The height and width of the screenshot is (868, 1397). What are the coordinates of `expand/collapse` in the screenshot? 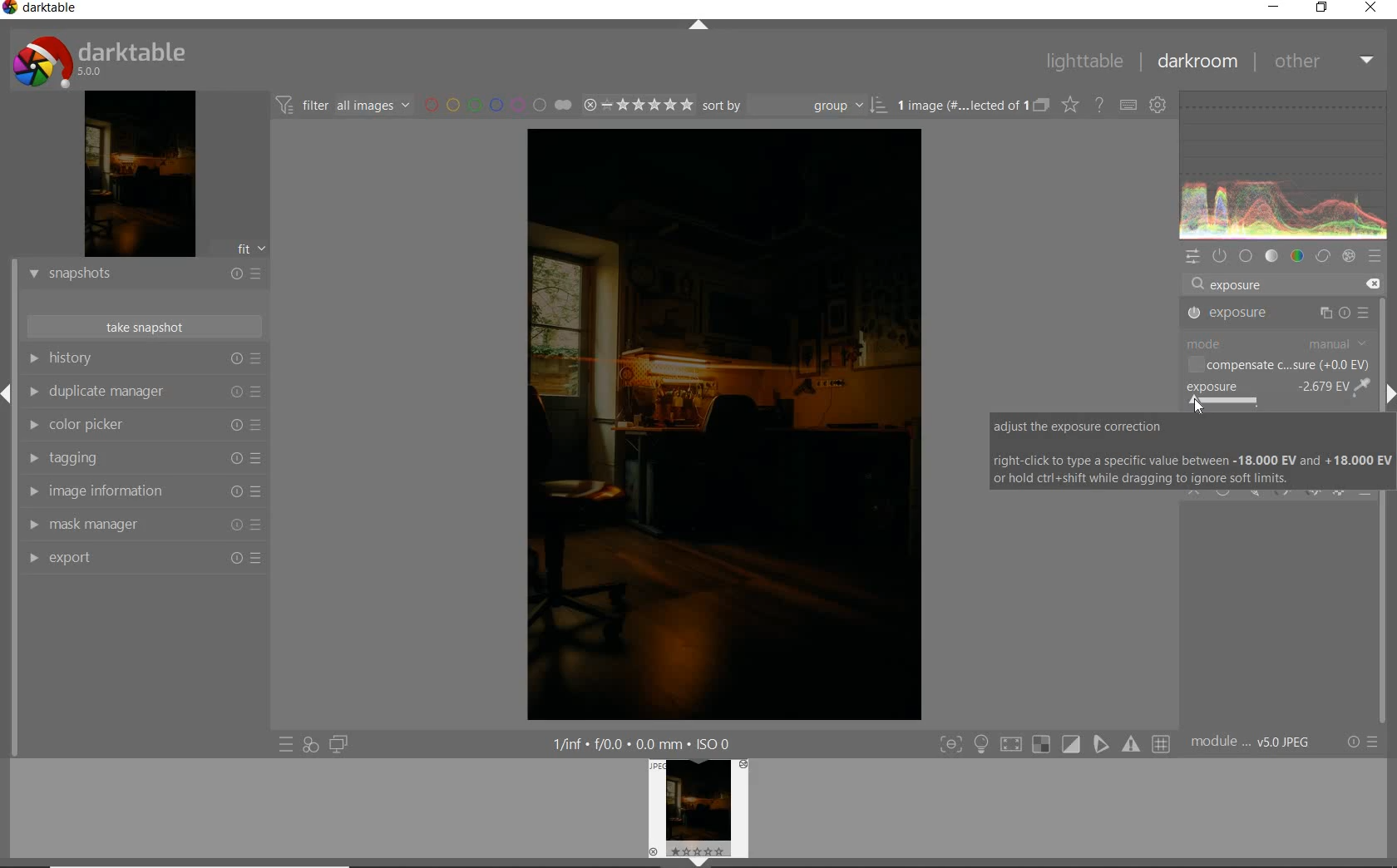 It's located at (698, 28).